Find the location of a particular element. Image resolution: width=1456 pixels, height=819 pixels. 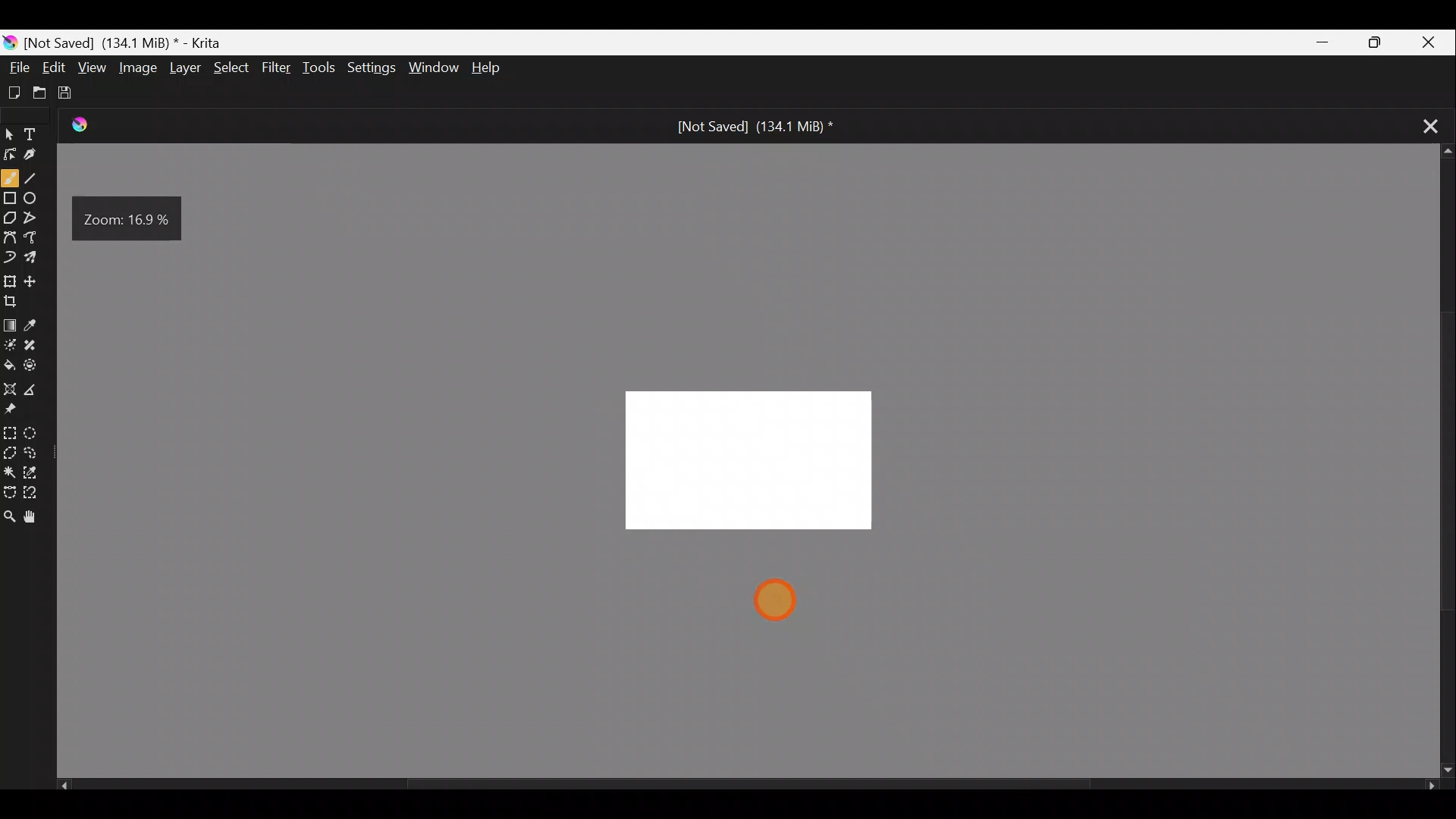

Sample a colour from the image/current layer is located at coordinates (37, 321).